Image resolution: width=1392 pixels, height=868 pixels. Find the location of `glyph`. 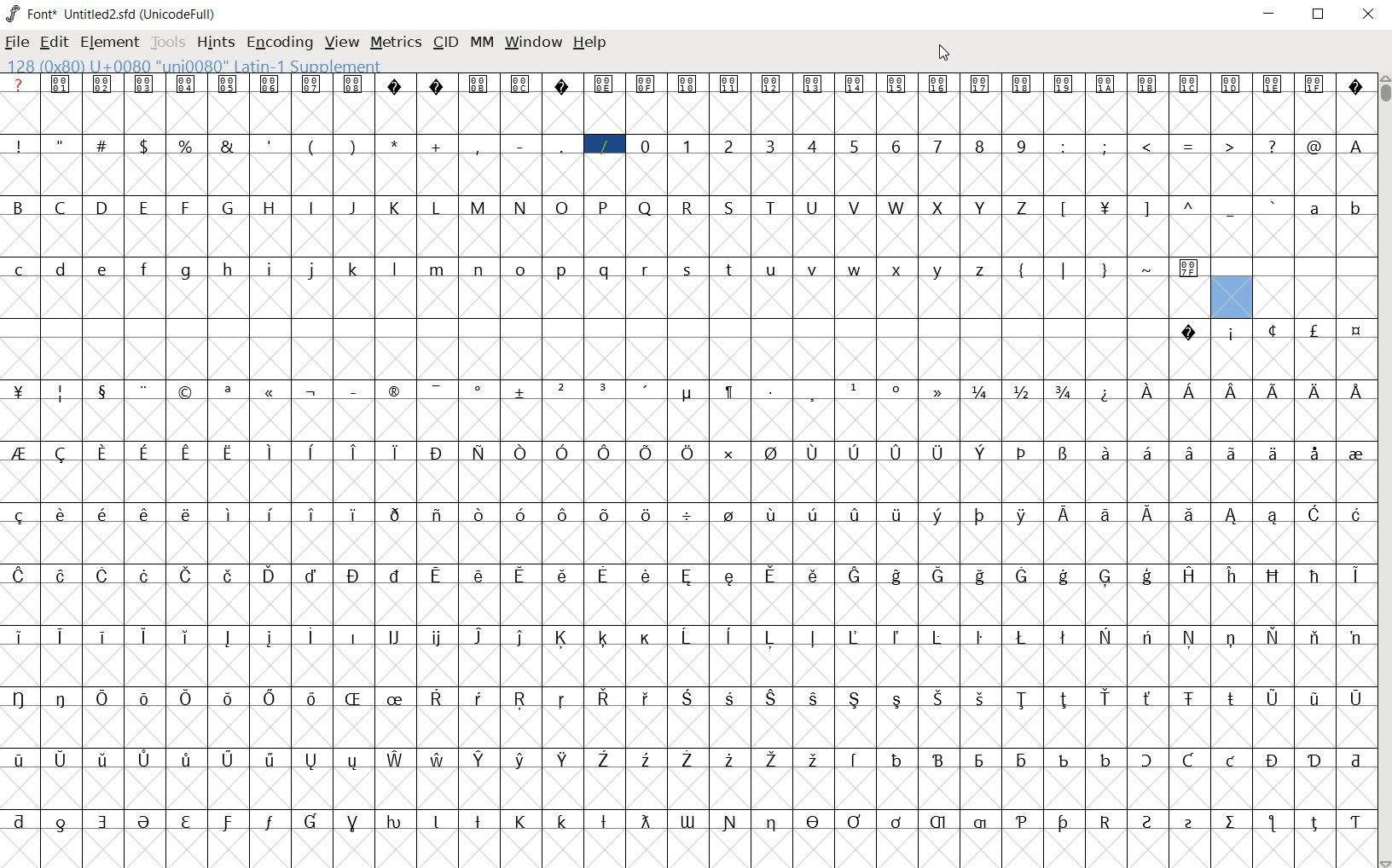

glyph is located at coordinates (980, 392).